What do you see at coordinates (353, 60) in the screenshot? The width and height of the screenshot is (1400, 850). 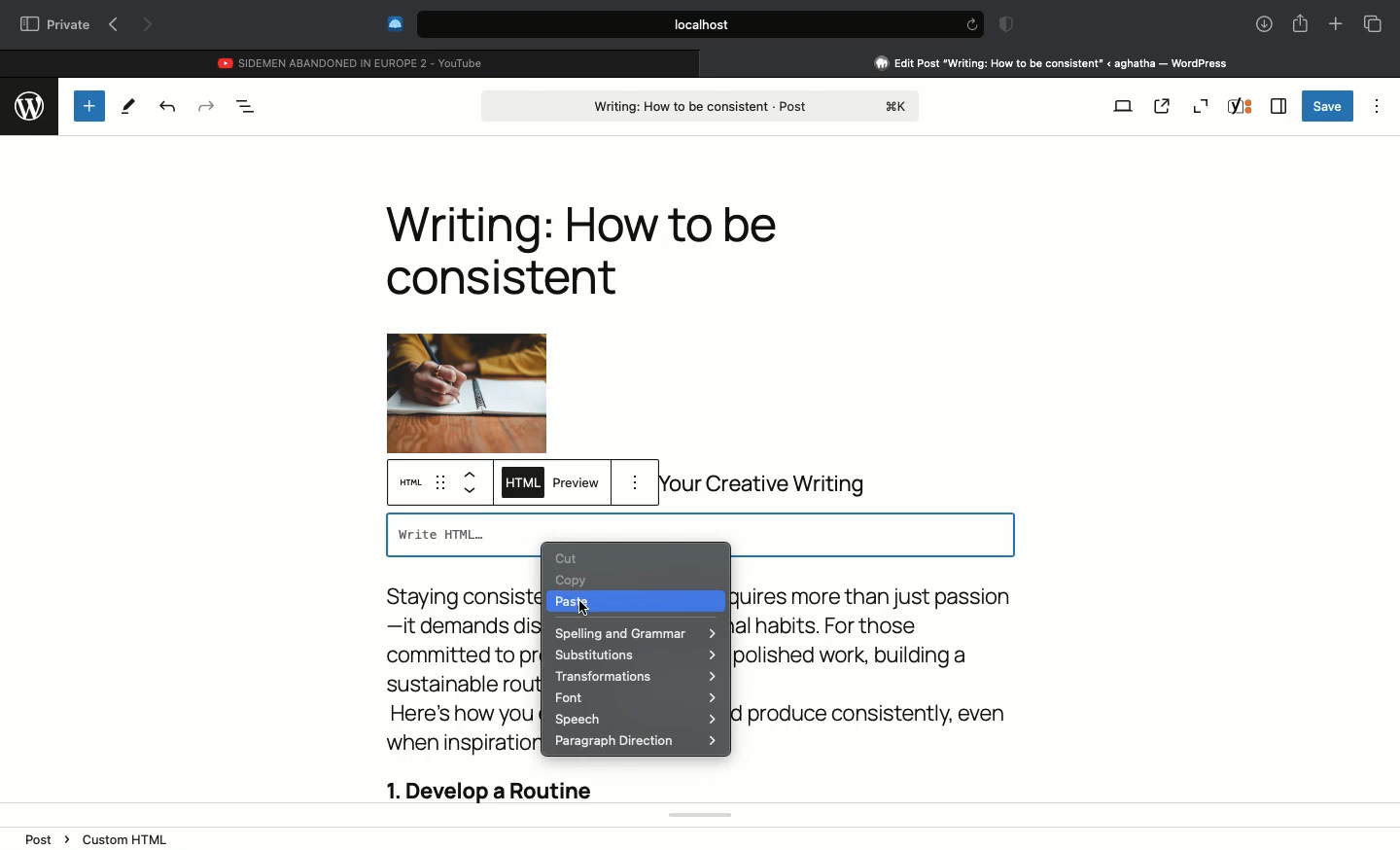 I see `Youtube` at bounding box center [353, 60].